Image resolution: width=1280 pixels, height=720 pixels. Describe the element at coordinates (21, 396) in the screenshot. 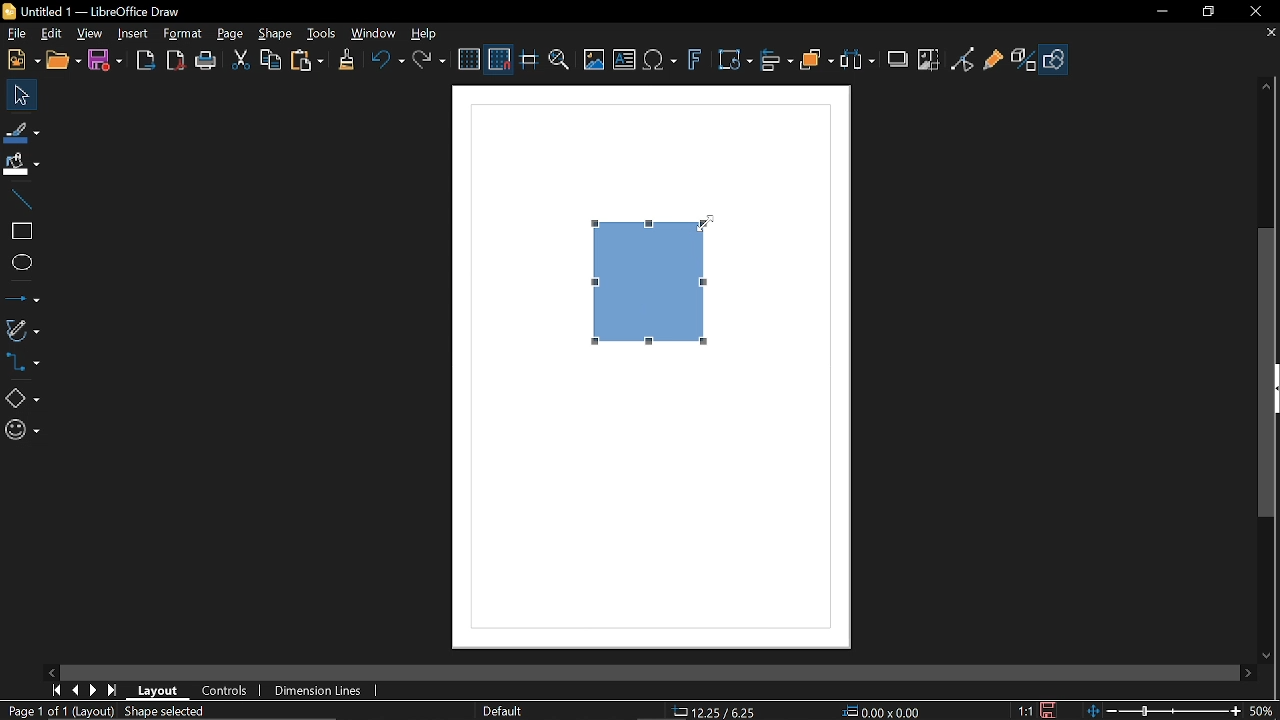

I see `Basic shapes` at that location.